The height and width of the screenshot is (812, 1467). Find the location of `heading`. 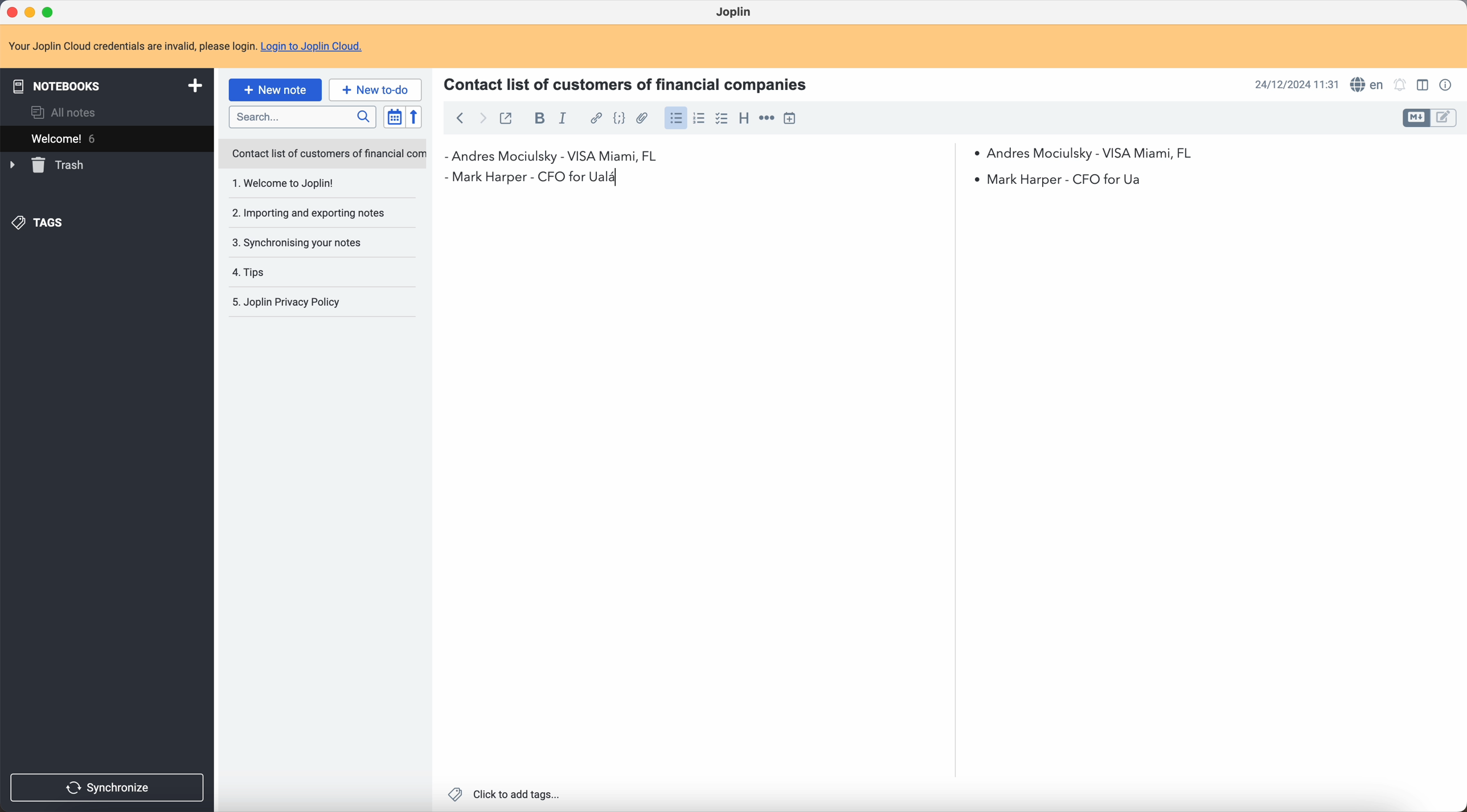

heading is located at coordinates (744, 119).